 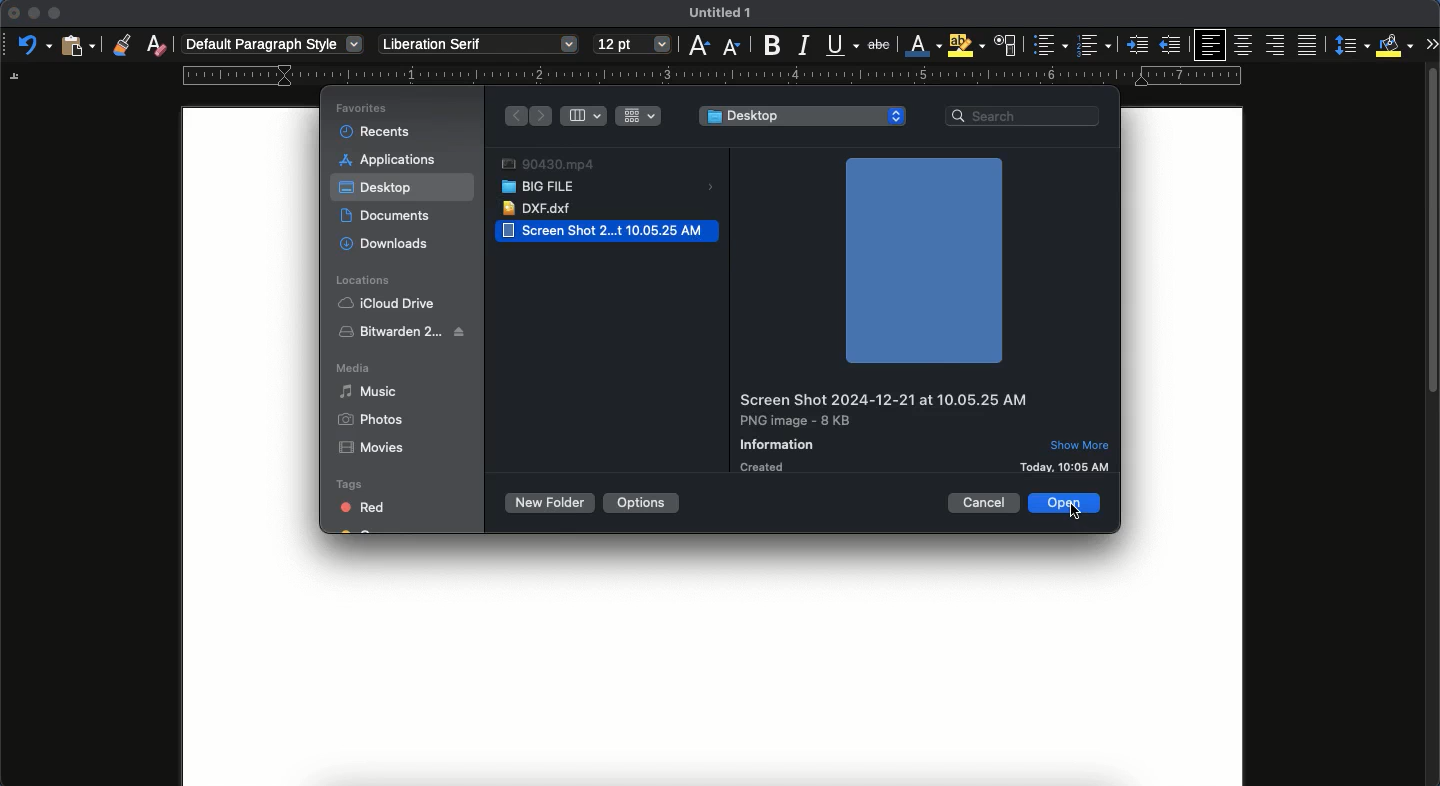 What do you see at coordinates (1067, 503) in the screenshot?
I see `open` at bounding box center [1067, 503].